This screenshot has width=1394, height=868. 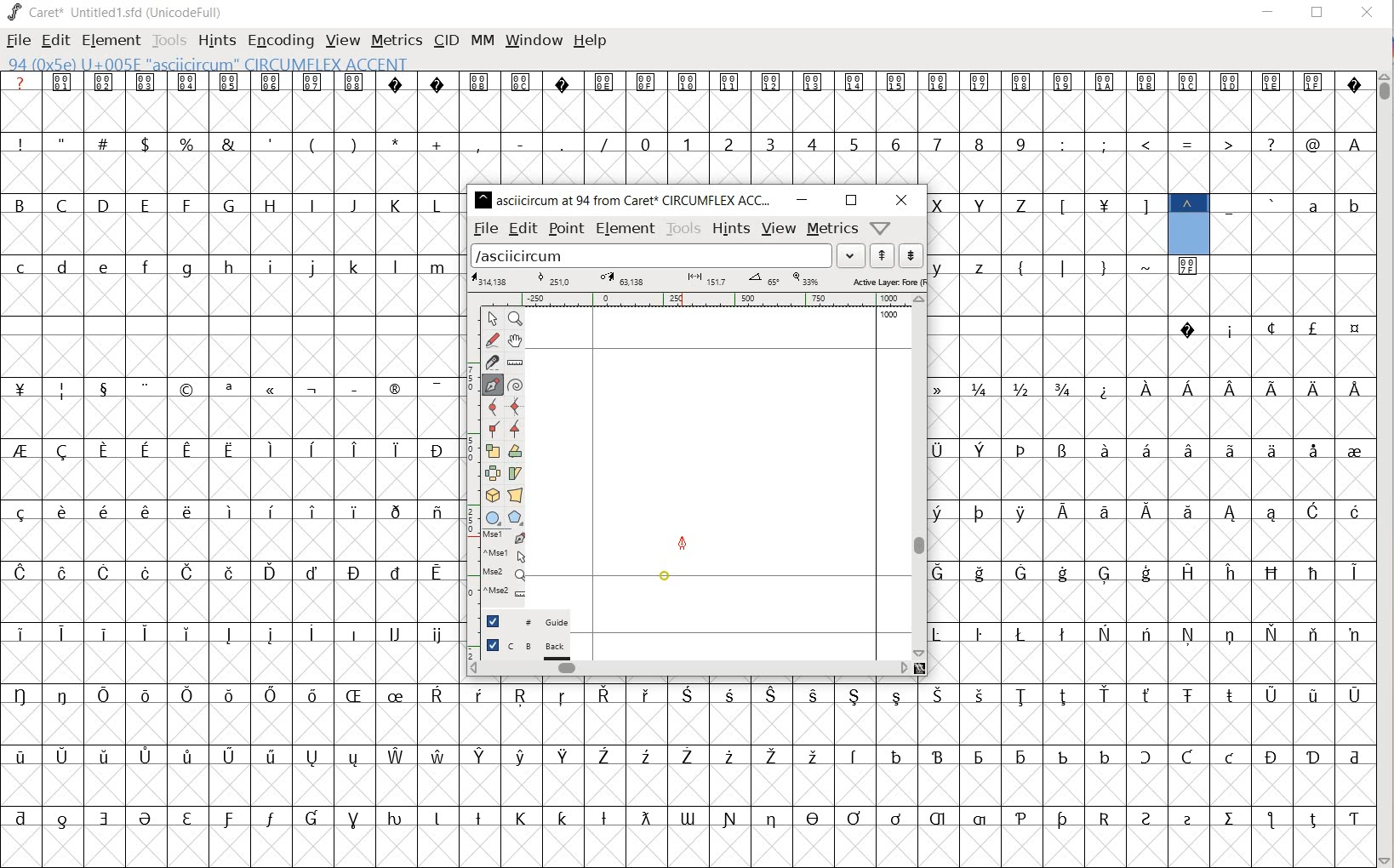 What do you see at coordinates (491, 384) in the screenshot?
I see `add a point, then drag out its control points` at bounding box center [491, 384].